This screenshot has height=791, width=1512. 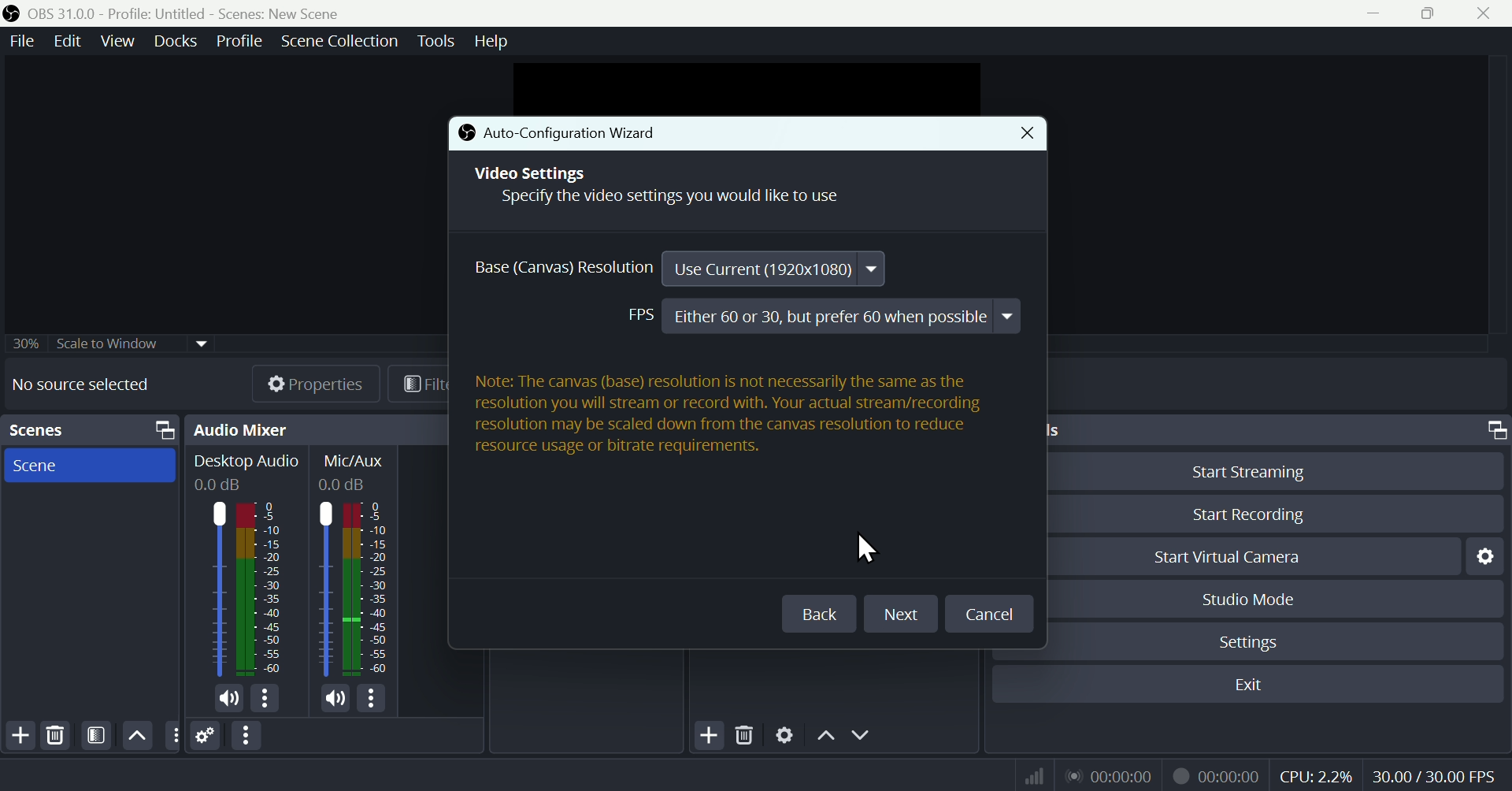 I want to click on Scene collection, so click(x=343, y=43).